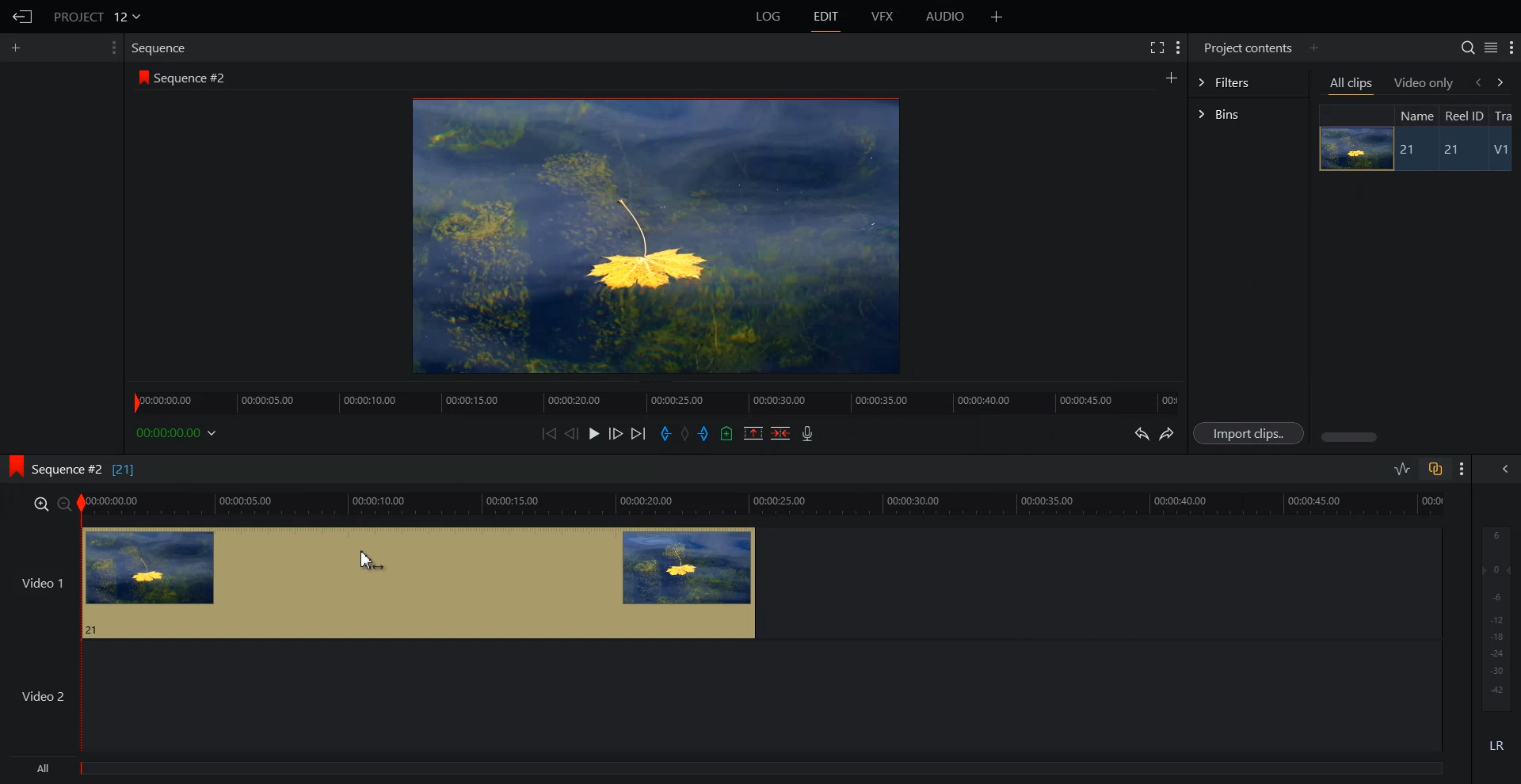 This screenshot has height=784, width=1521. I want to click on Clear all marks, so click(686, 434).